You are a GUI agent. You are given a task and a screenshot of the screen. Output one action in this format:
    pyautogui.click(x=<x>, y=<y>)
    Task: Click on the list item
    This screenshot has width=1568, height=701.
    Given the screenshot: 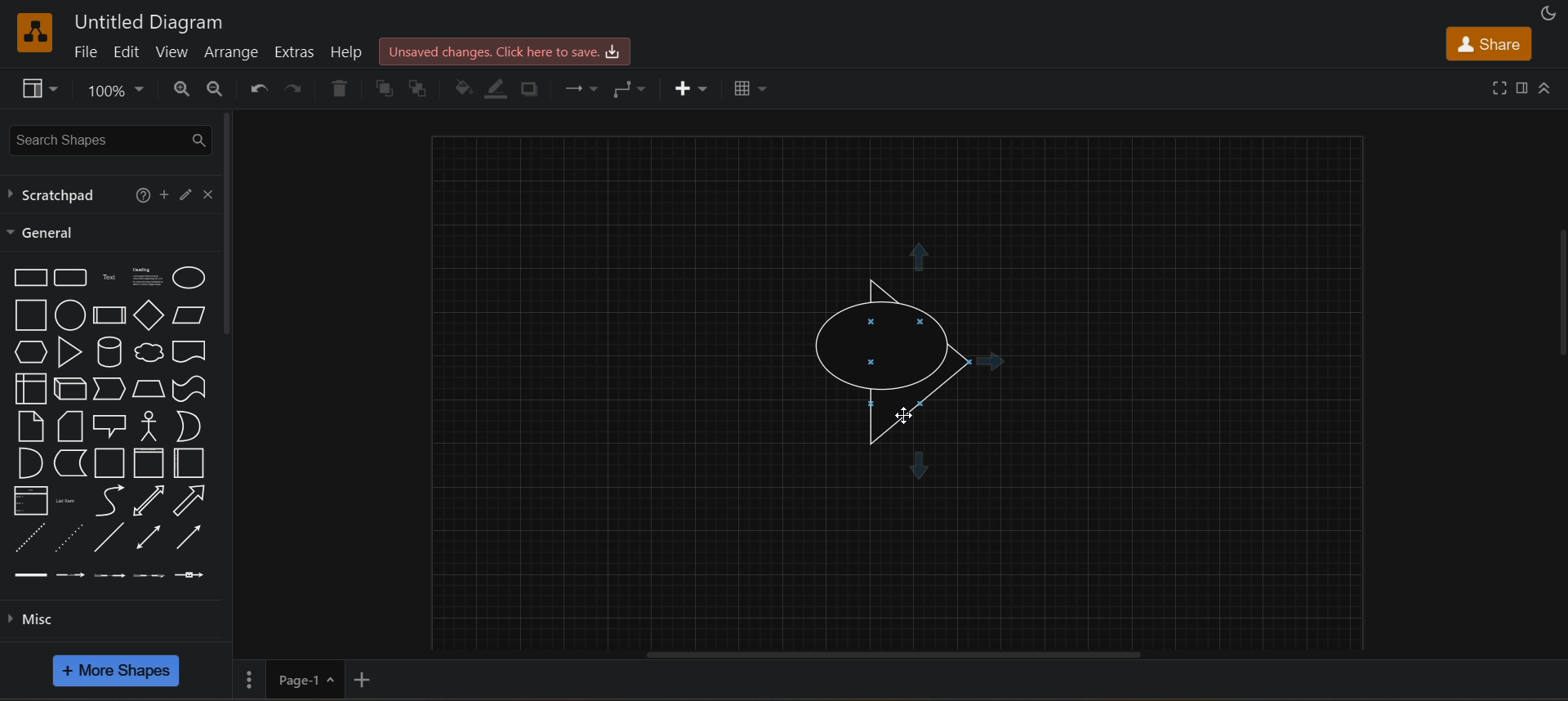 What is the action you would take?
    pyautogui.click(x=66, y=500)
    